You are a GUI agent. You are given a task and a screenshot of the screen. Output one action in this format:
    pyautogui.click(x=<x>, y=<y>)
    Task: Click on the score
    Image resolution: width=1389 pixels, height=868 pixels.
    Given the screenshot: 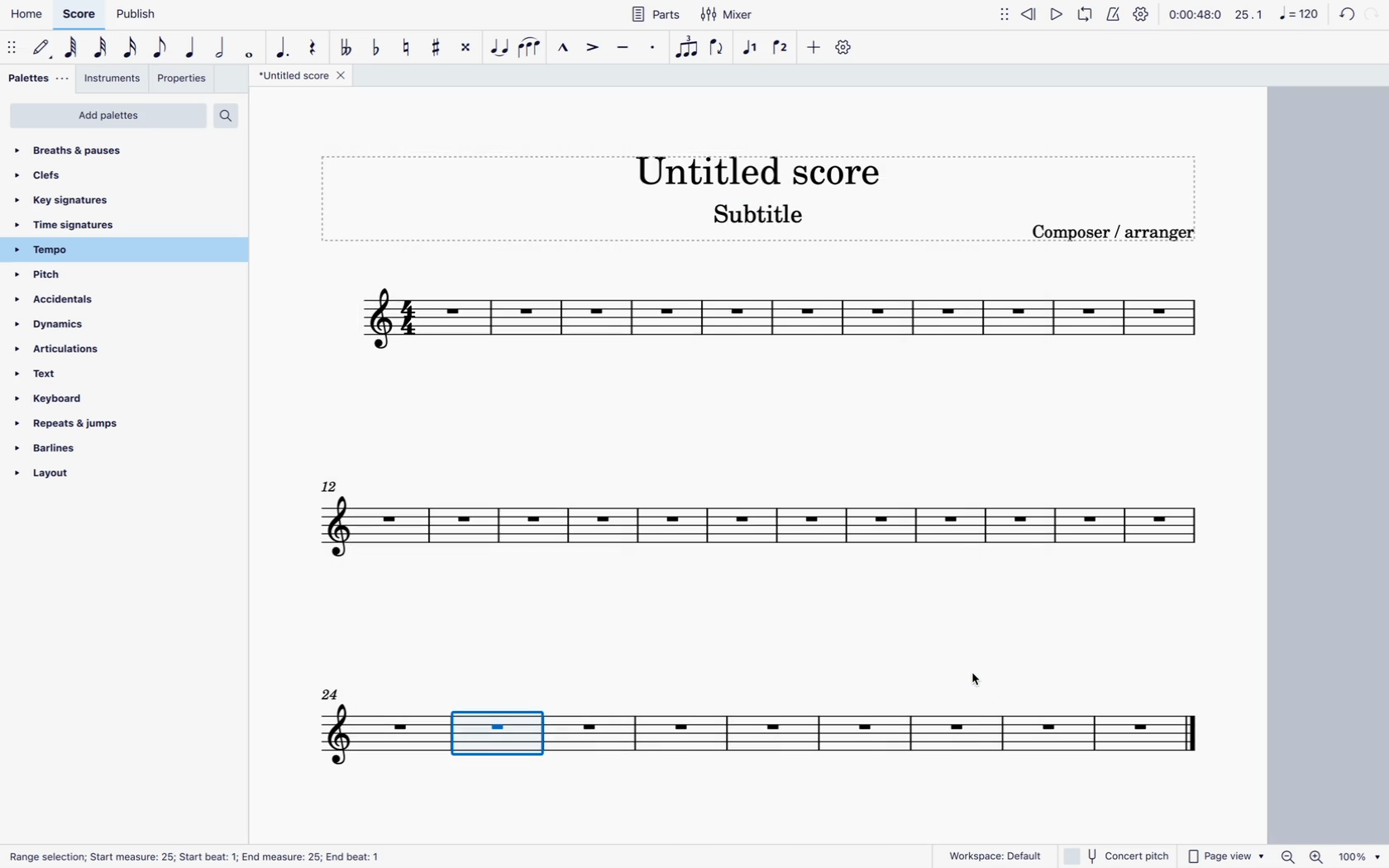 What is the action you would take?
    pyautogui.click(x=756, y=519)
    